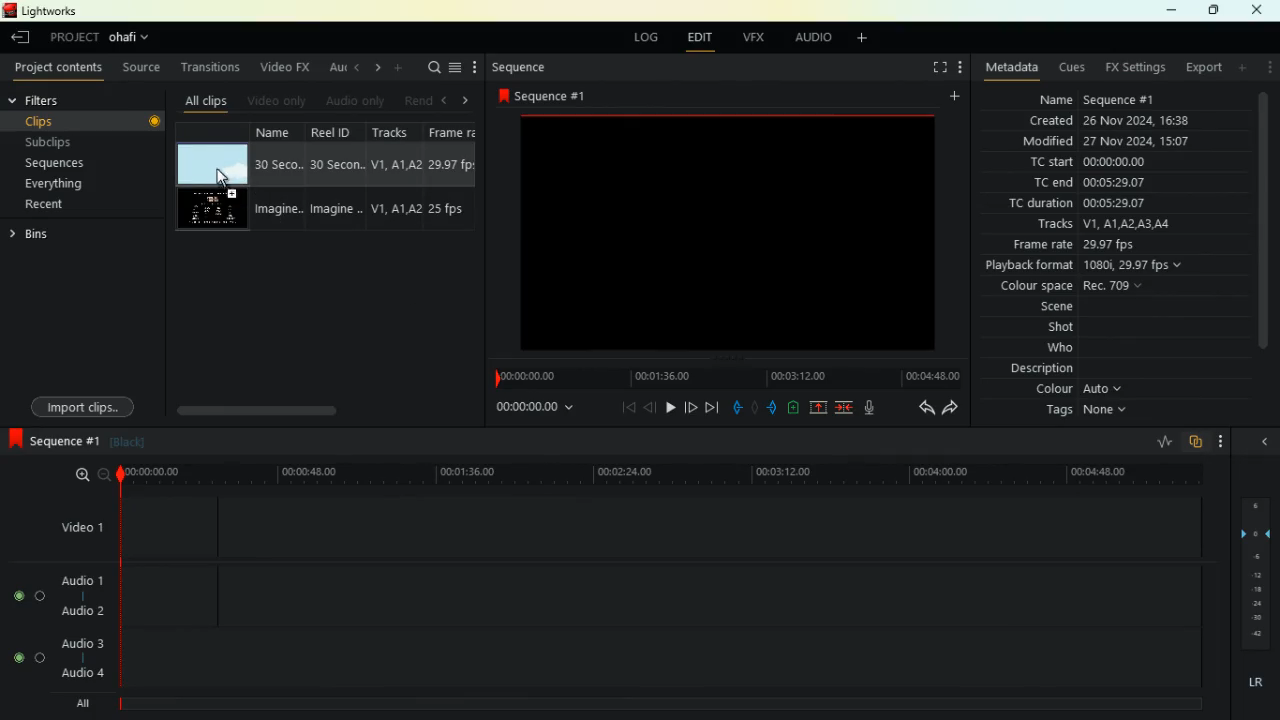 This screenshot has width=1280, height=720. What do you see at coordinates (1263, 441) in the screenshot?
I see `close` at bounding box center [1263, 441].